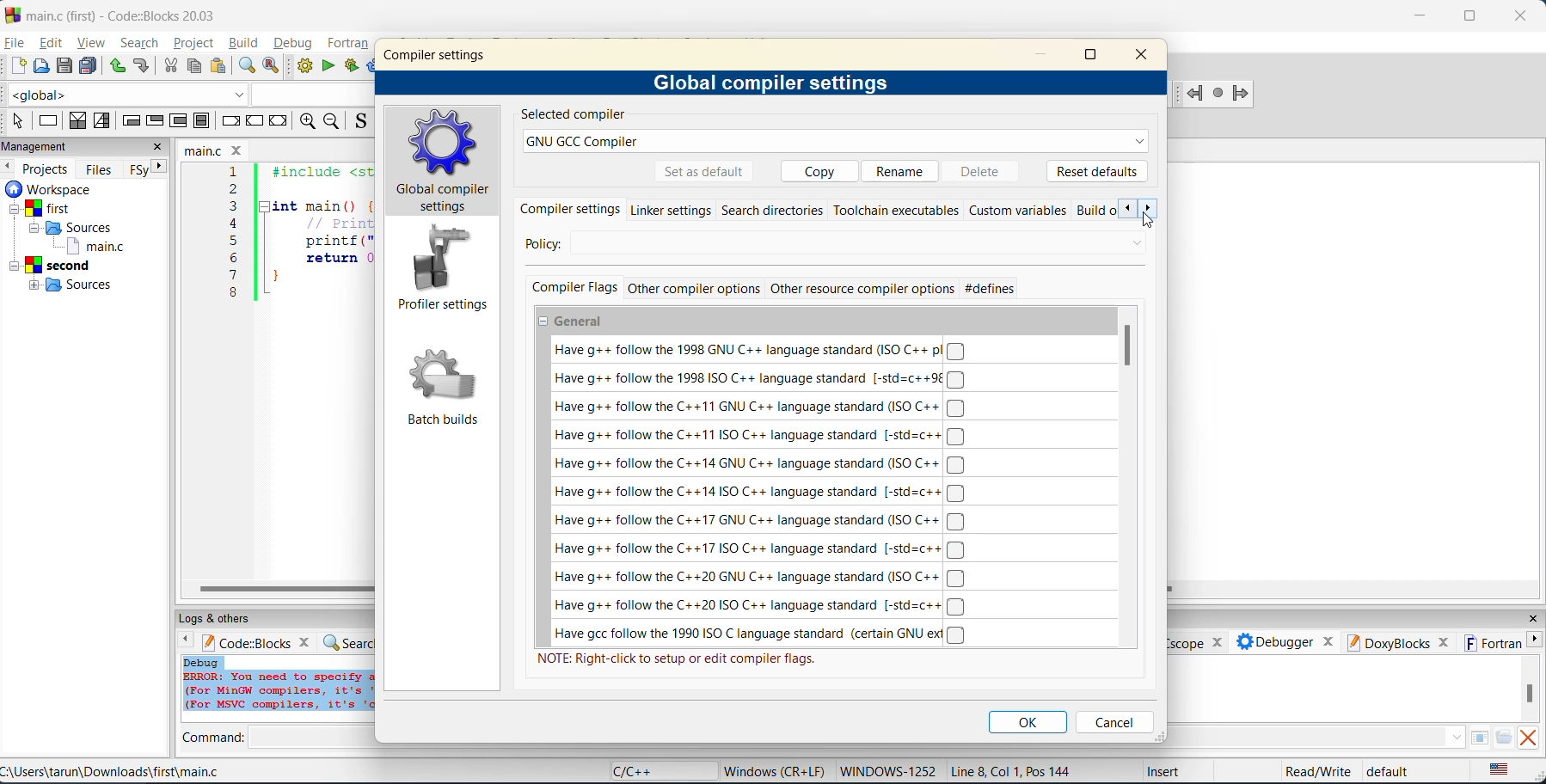 Image resolution: width=1546 pixels, height=784 pixels. I want to click on C/C++, so click(641, 770).